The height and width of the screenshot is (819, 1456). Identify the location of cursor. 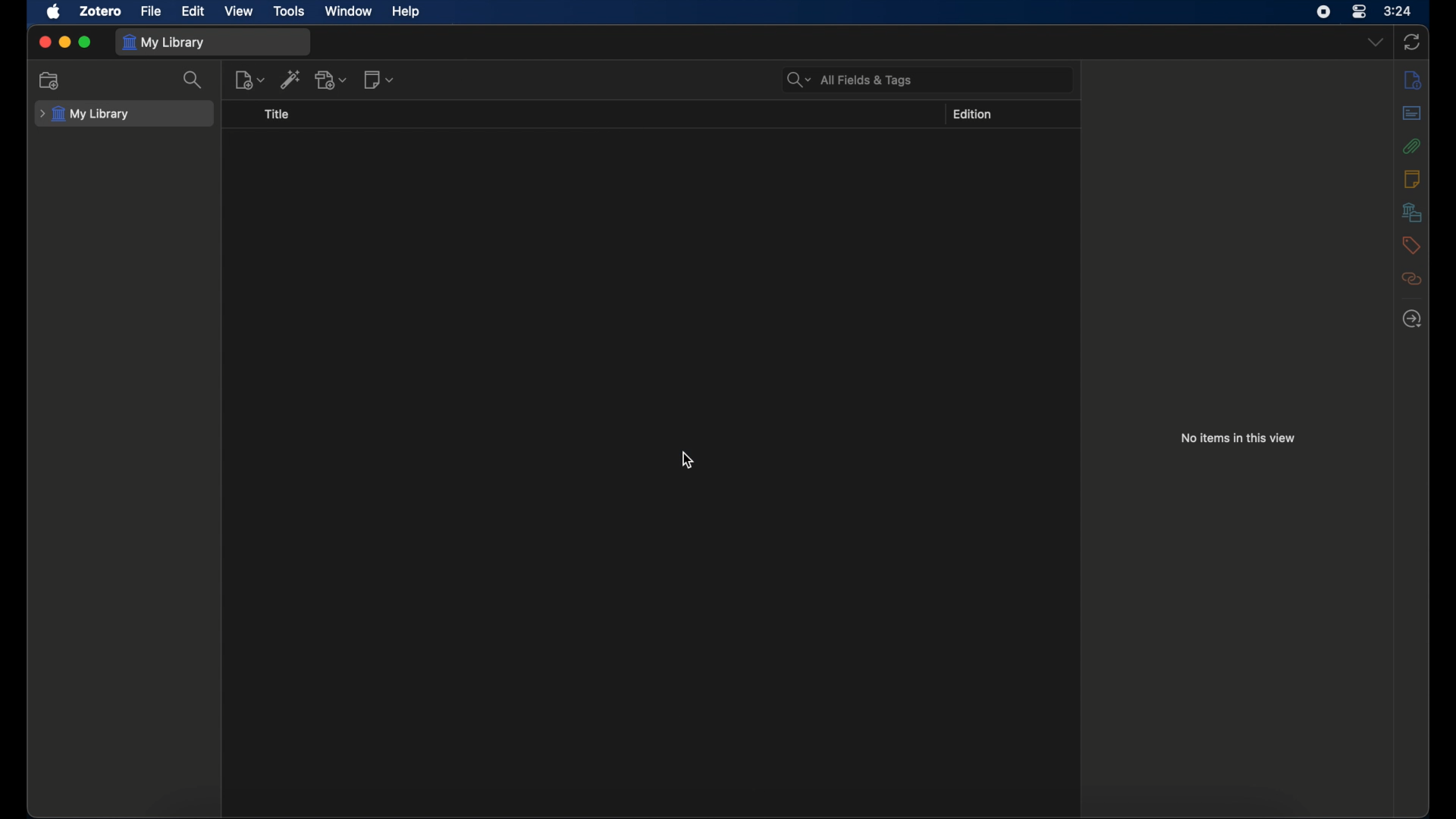
(688, 461).